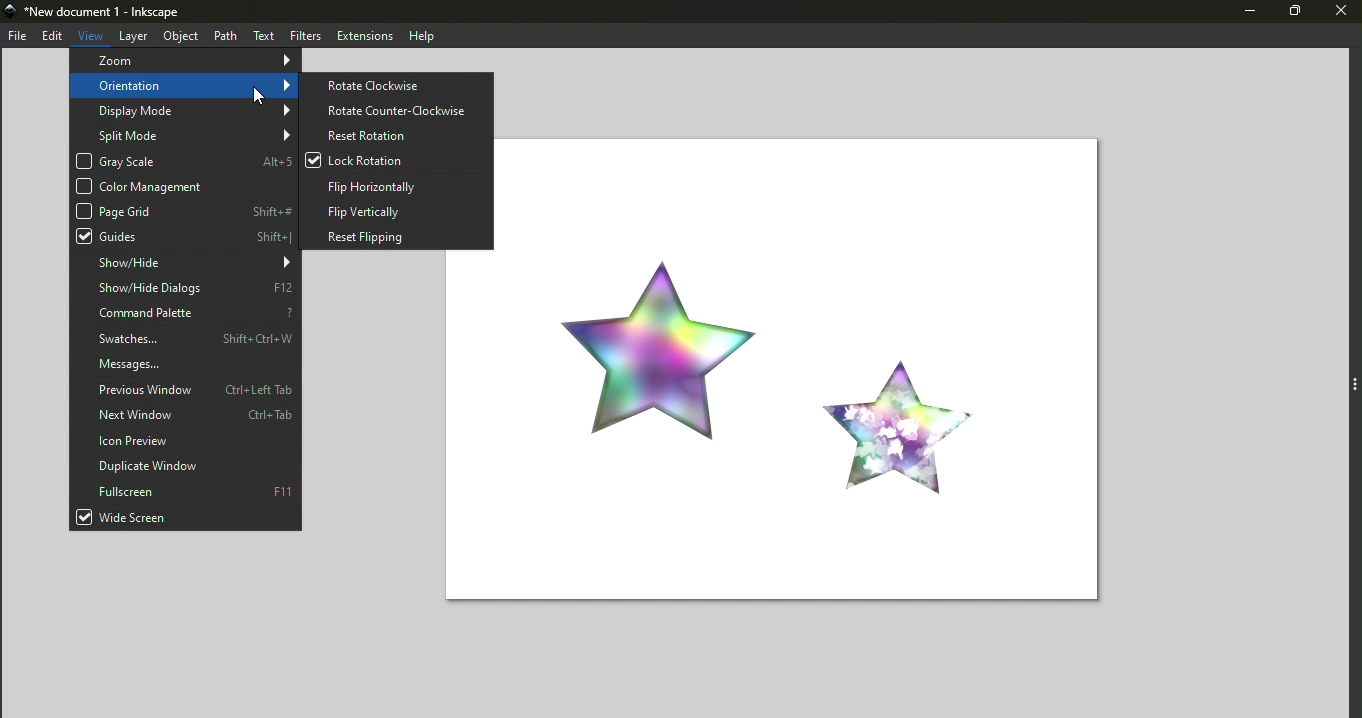  Describe the element at coordinates (185, 289) in the screenshot. I see `Show/hide dialogs` at that location.